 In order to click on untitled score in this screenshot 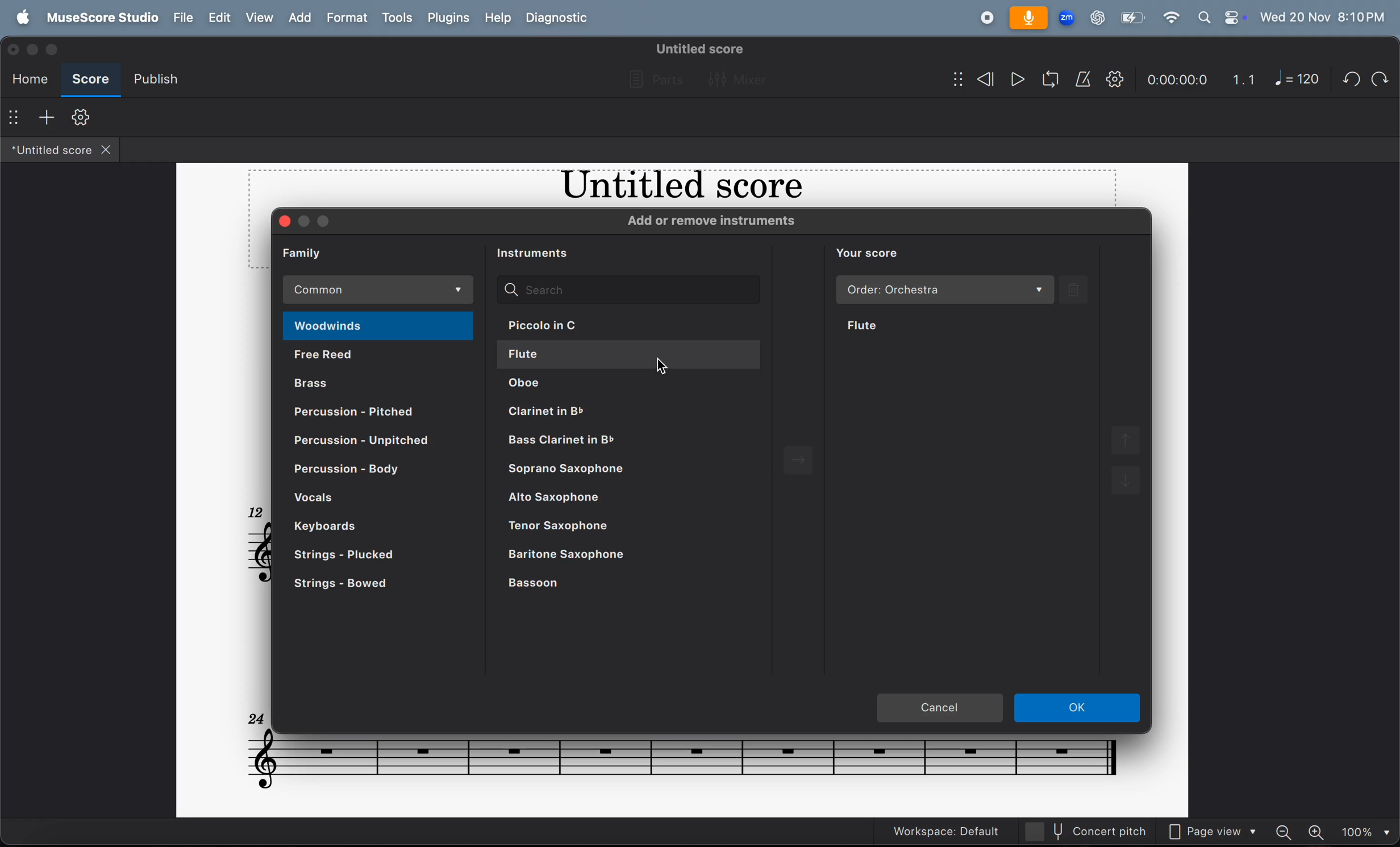, I will do `click(698, 47)`.